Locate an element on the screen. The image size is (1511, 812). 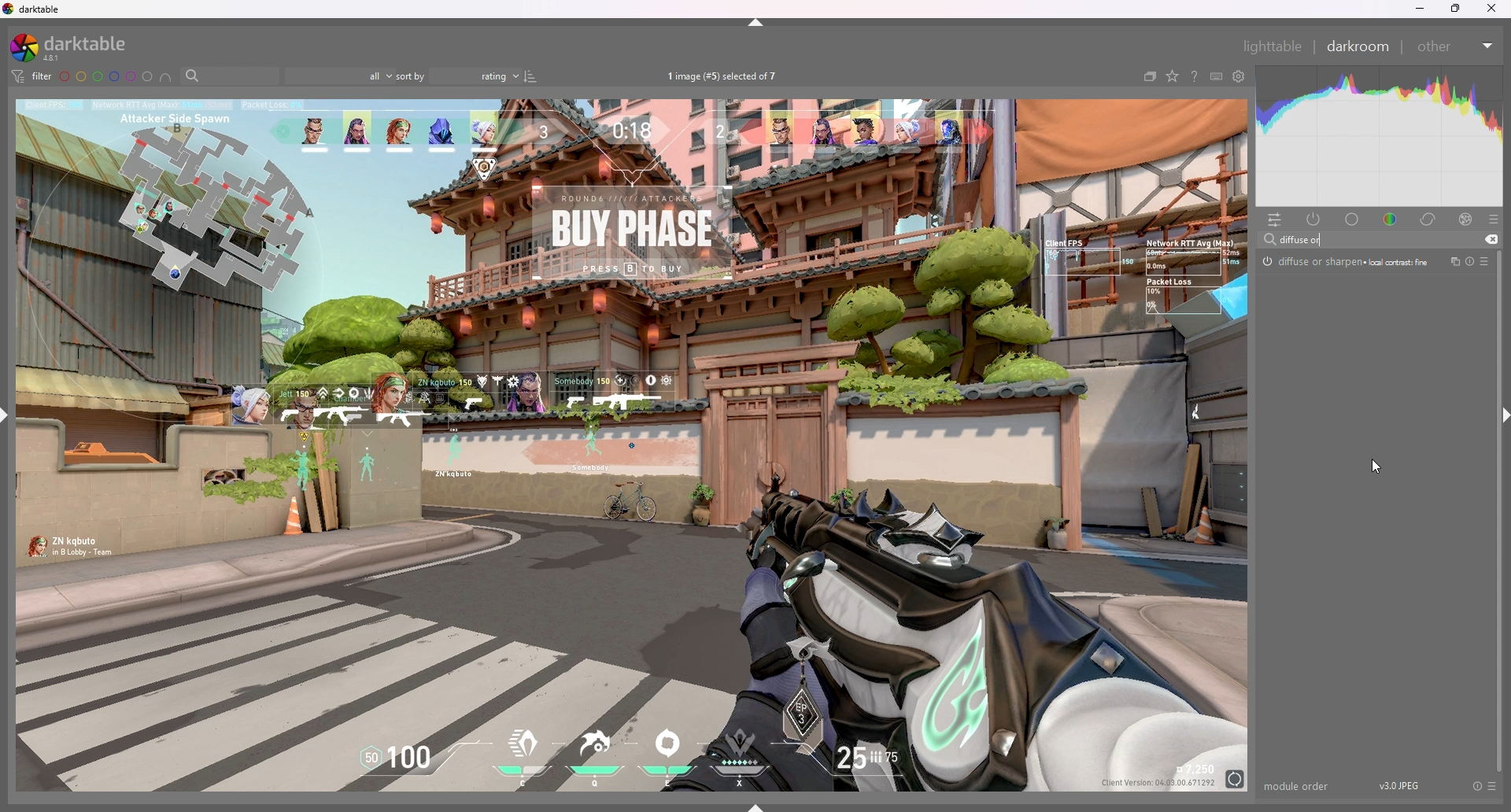
diffuse or sharpen is located at coordinates (1314, 261).